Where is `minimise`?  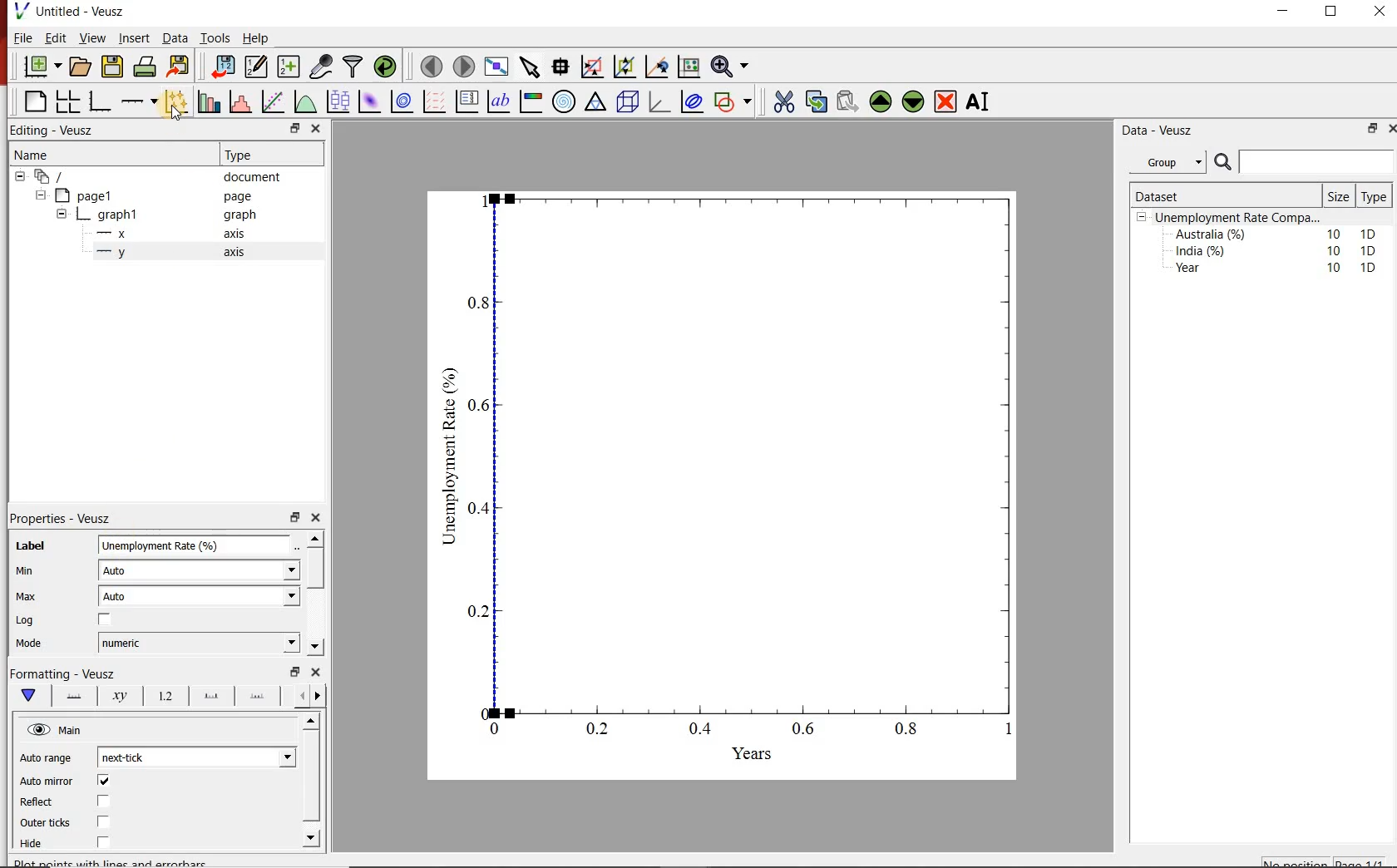 minimise is located at coordinates (1287, 15).